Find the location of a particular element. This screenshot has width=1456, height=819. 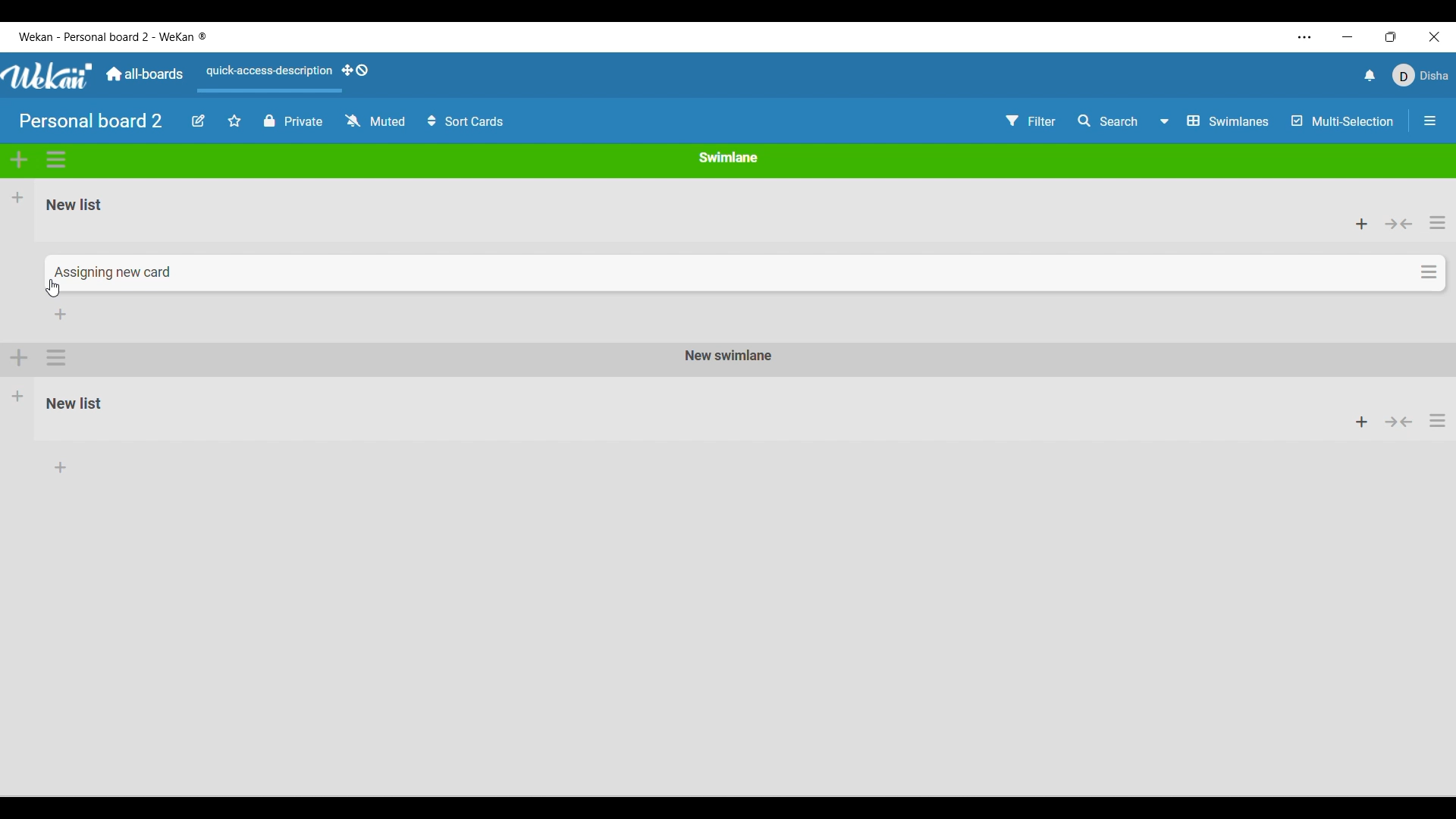

Software and board logo is located at coordinates (113, 37).